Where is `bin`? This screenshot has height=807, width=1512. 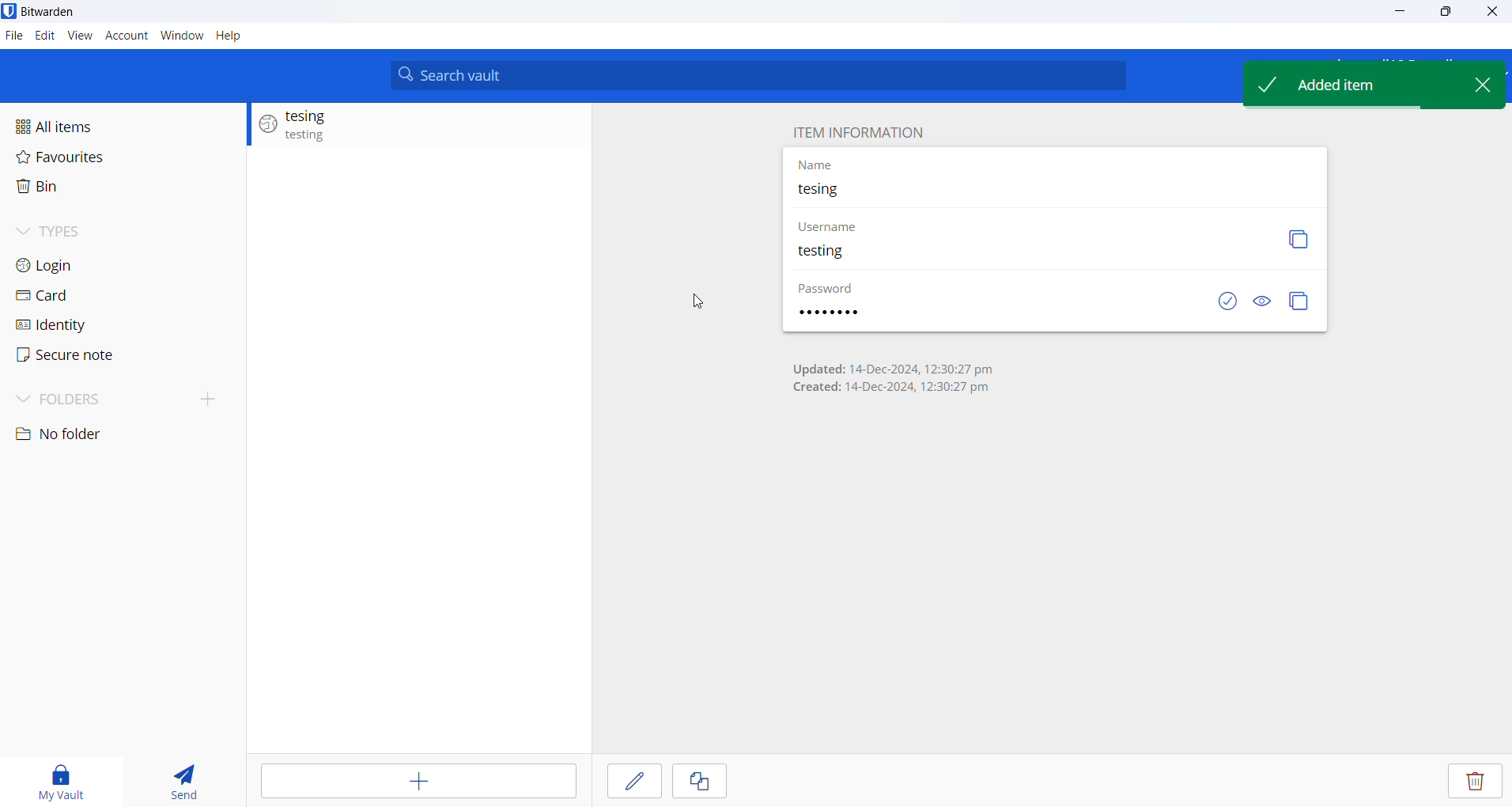 bin is located at coordinates (81, 191).